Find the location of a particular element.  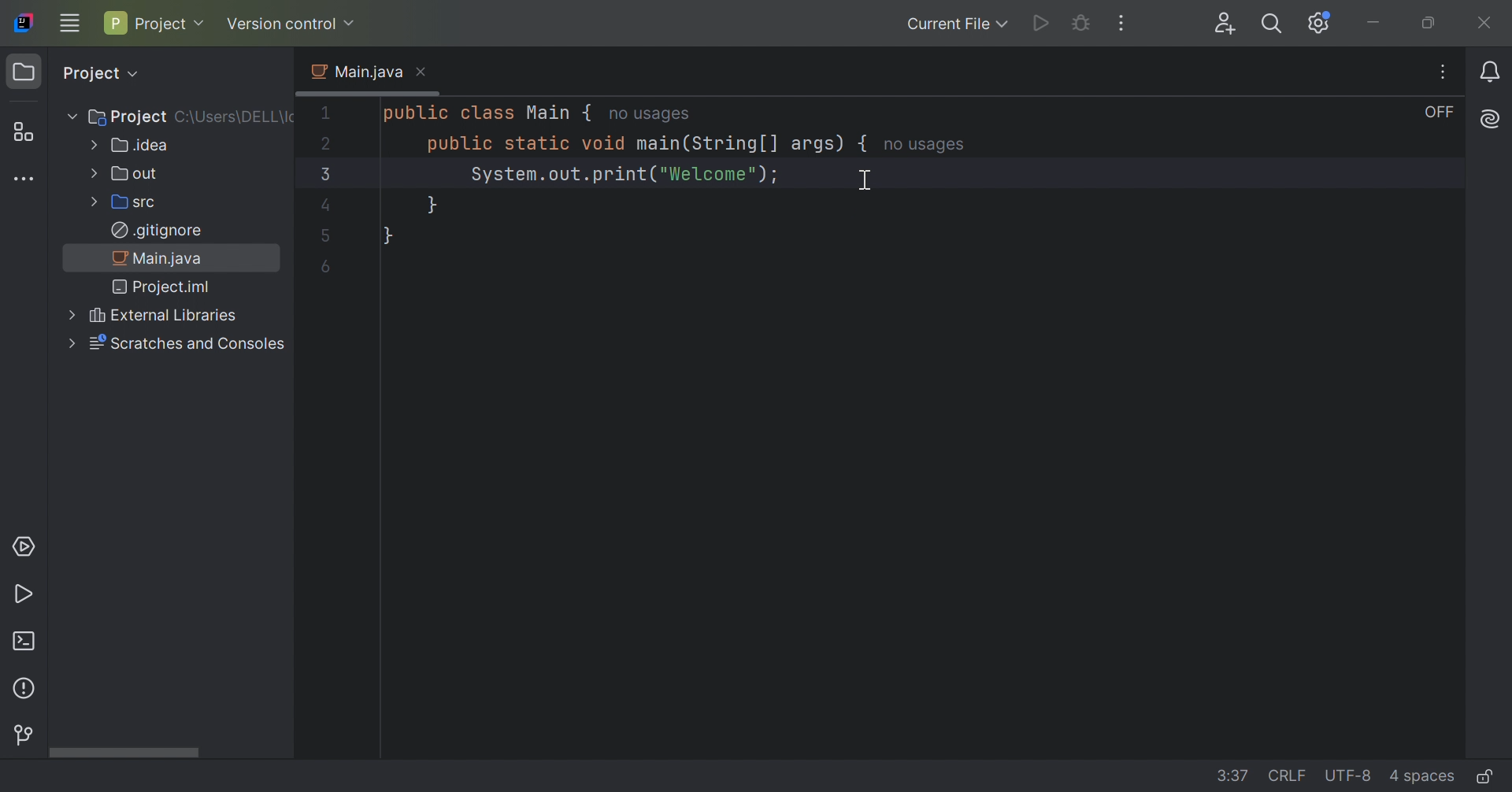

Code With Me is located at coordinates (1228, 25).